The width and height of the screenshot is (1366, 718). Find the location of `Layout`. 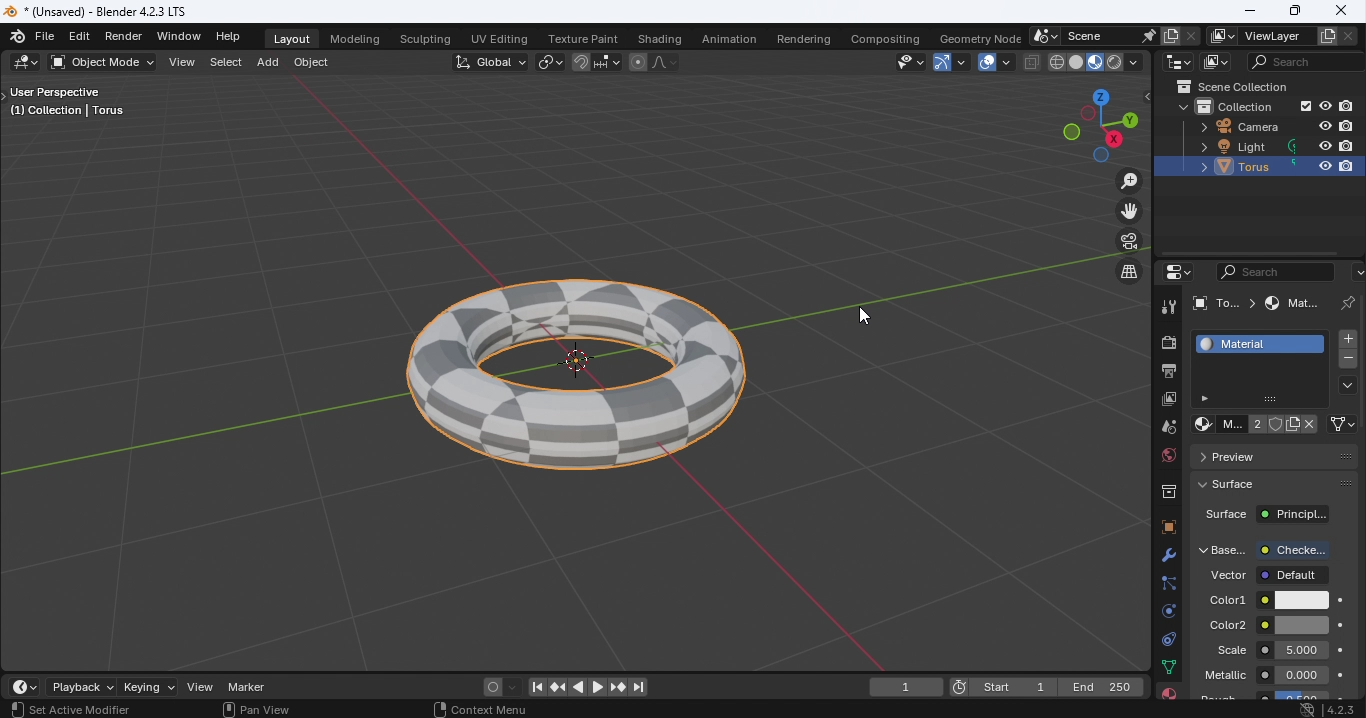

Layout is located at coordinates (293, 38).